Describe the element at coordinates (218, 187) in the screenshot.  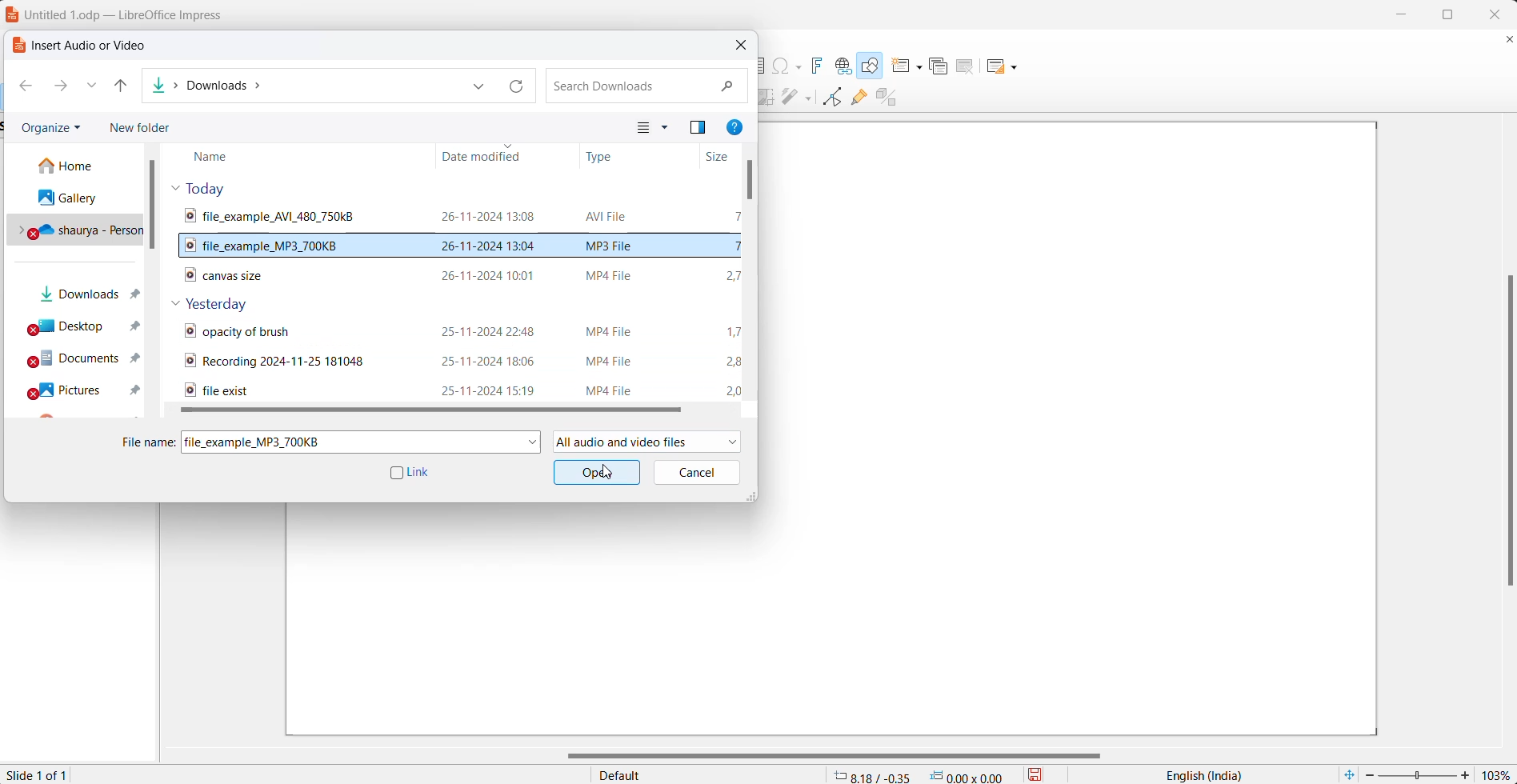
I see `today files` at that location.